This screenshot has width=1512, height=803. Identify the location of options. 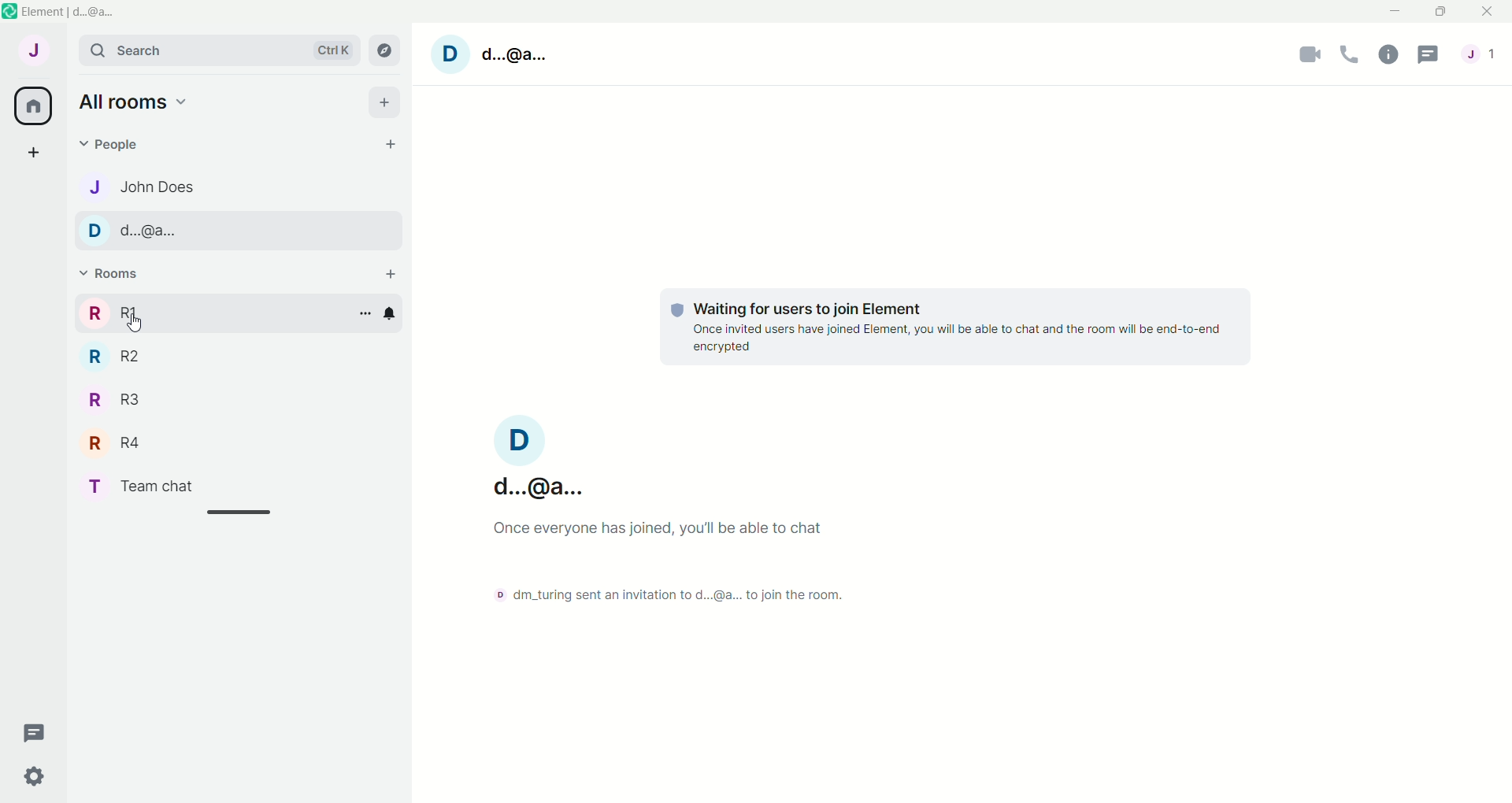
(365, 316).